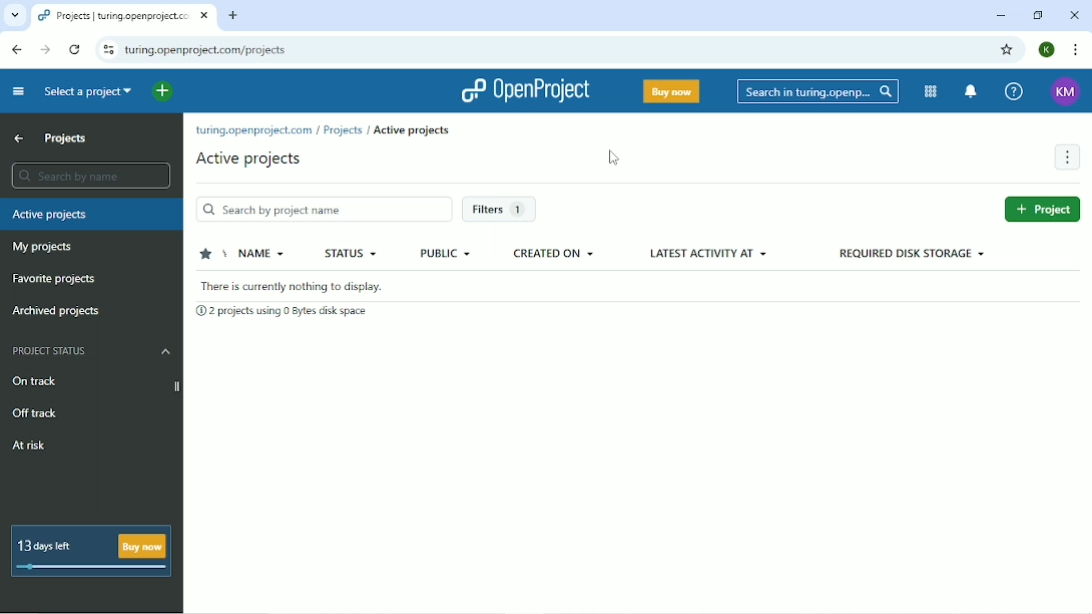  What do you see at coordinates (363, 254) in the screenshot?
I see `Status` at bounding box center [363, 254].